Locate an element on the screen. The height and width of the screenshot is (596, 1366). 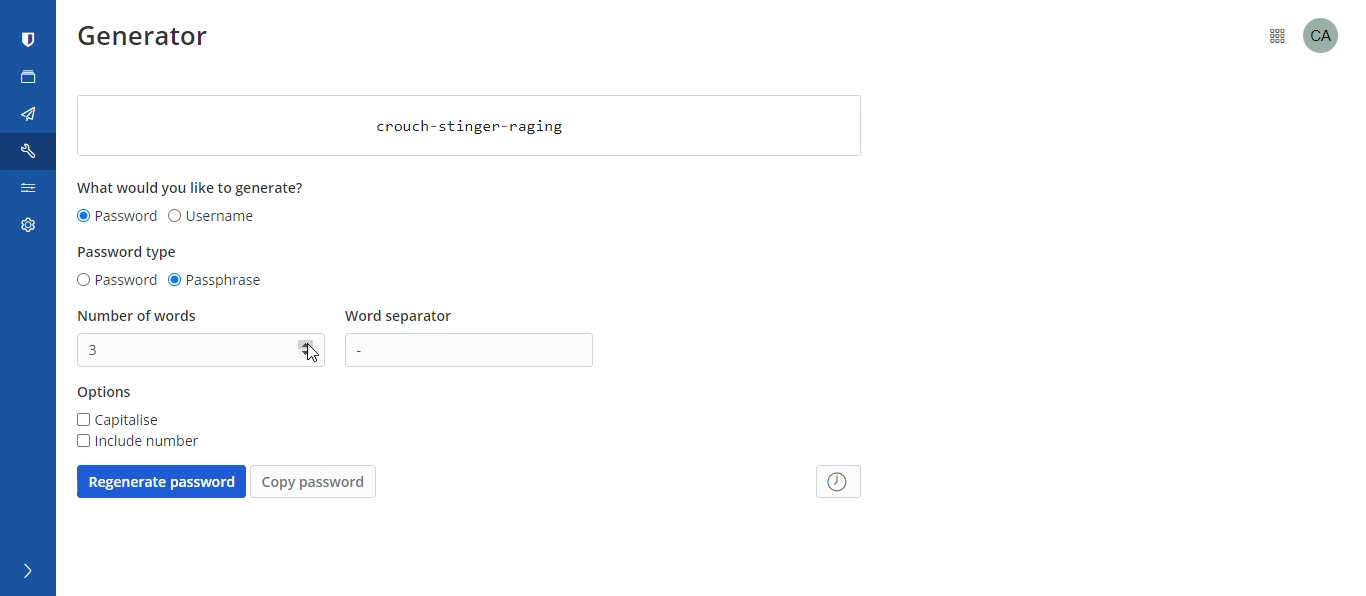
regenerate password is located at coordinates (161, 481).